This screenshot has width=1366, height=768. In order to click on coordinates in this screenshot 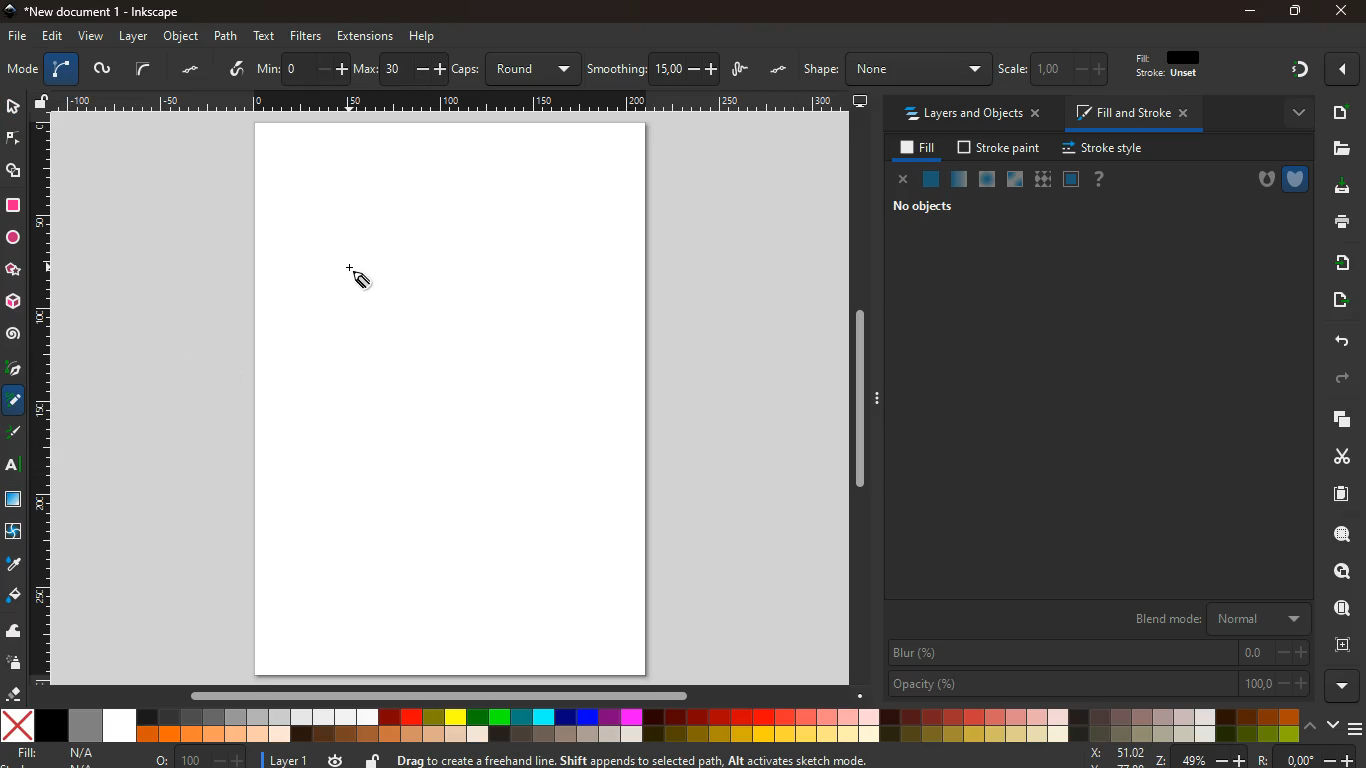, I will do `click(1218, 757)`.